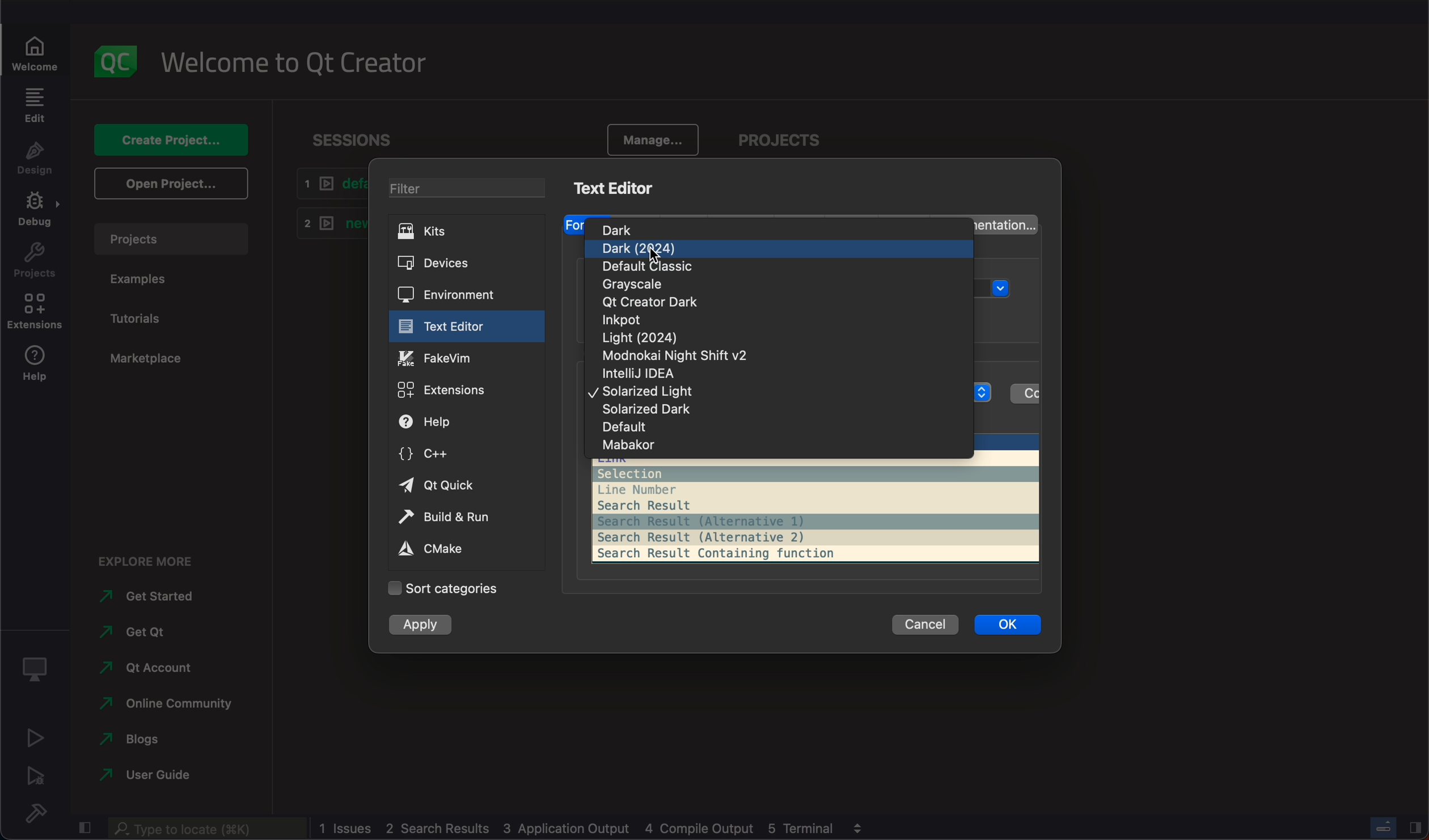 The width and height of the screenshot is (1429, 840). Describe the element at coordinates (173, 238) in the screenshot. I see `project` at that location.